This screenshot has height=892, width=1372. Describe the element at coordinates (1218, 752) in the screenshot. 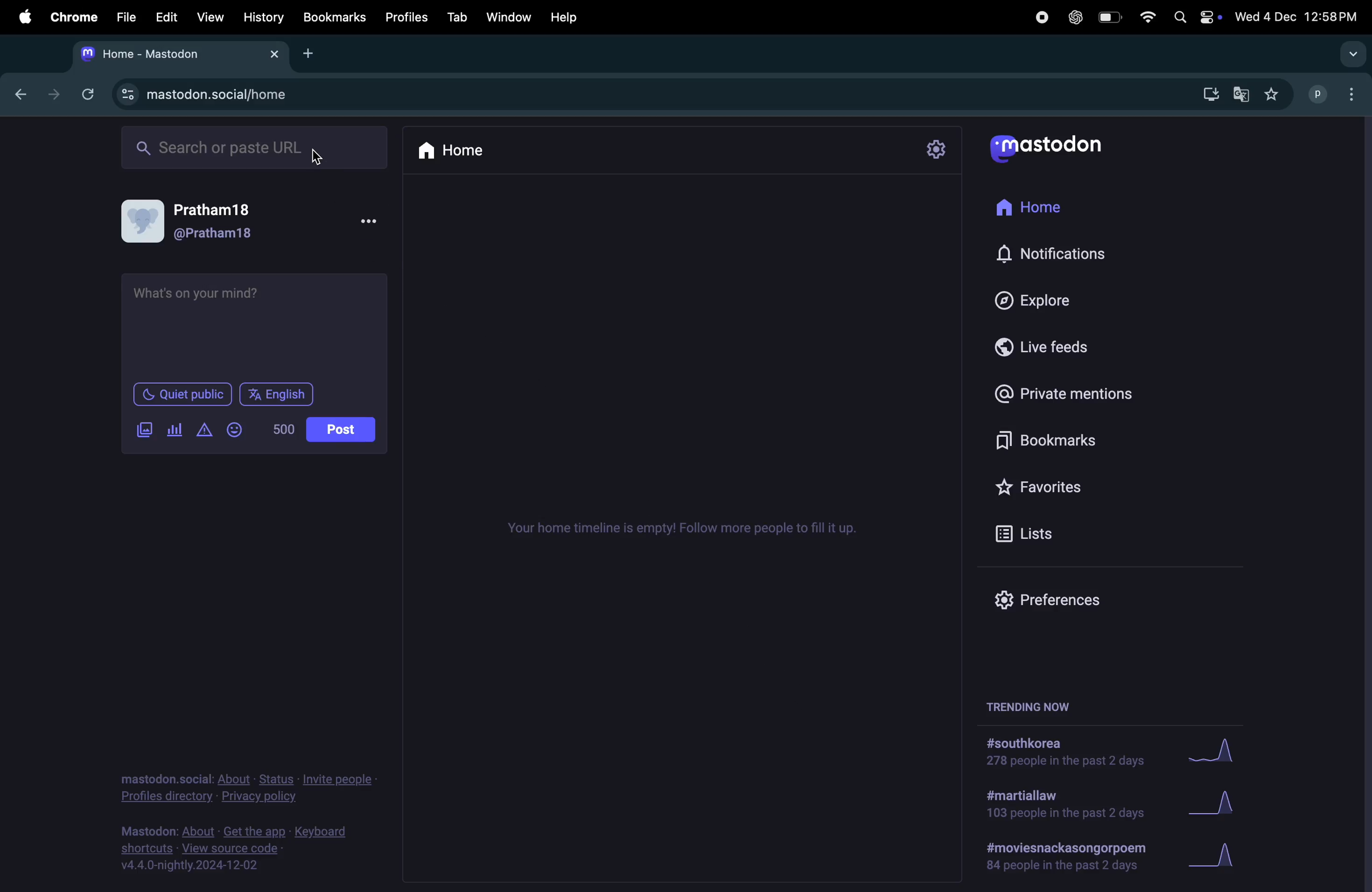

I see `graph` at that location.